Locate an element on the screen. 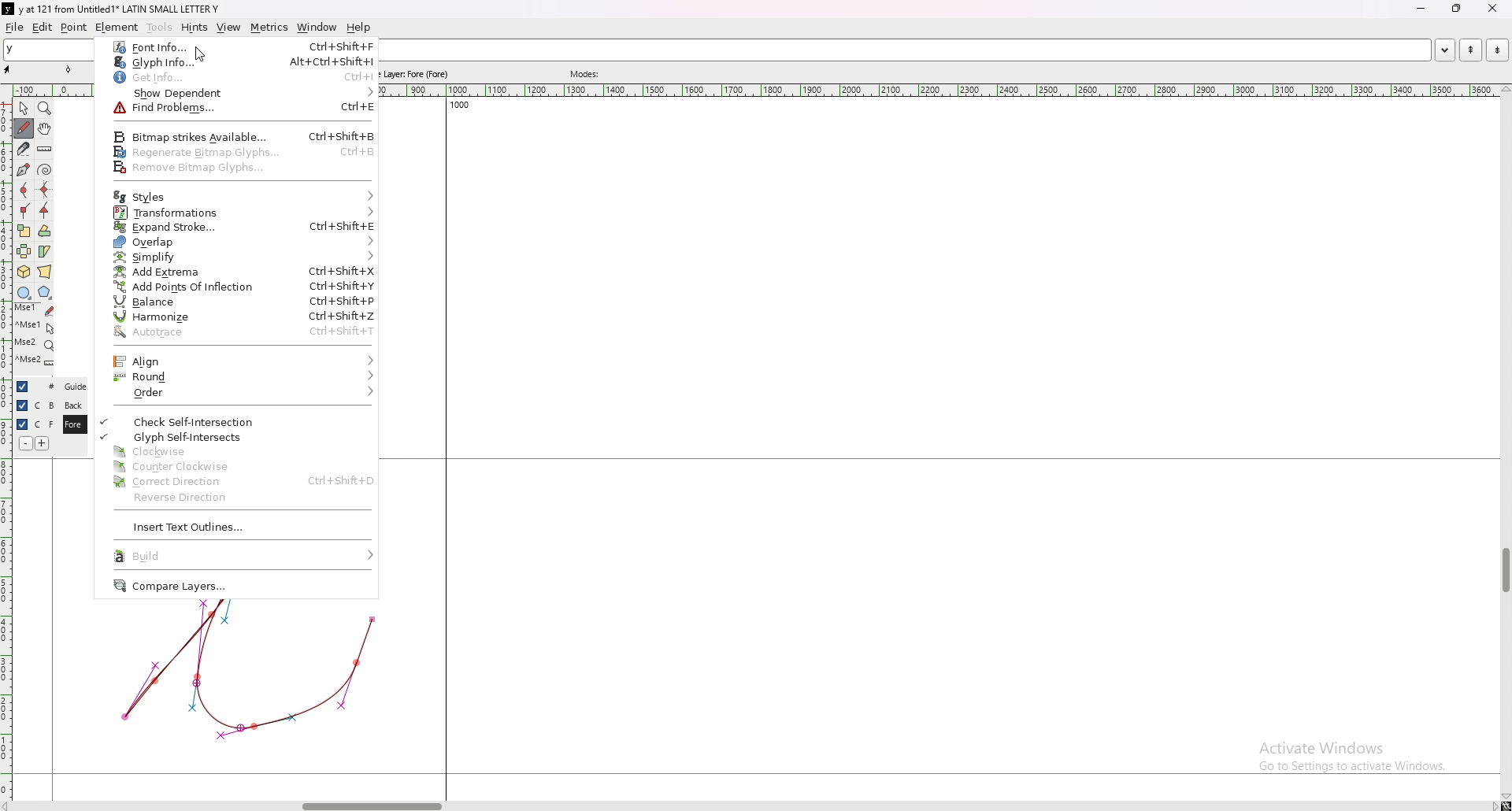  element is located at coordinates (117, 27).